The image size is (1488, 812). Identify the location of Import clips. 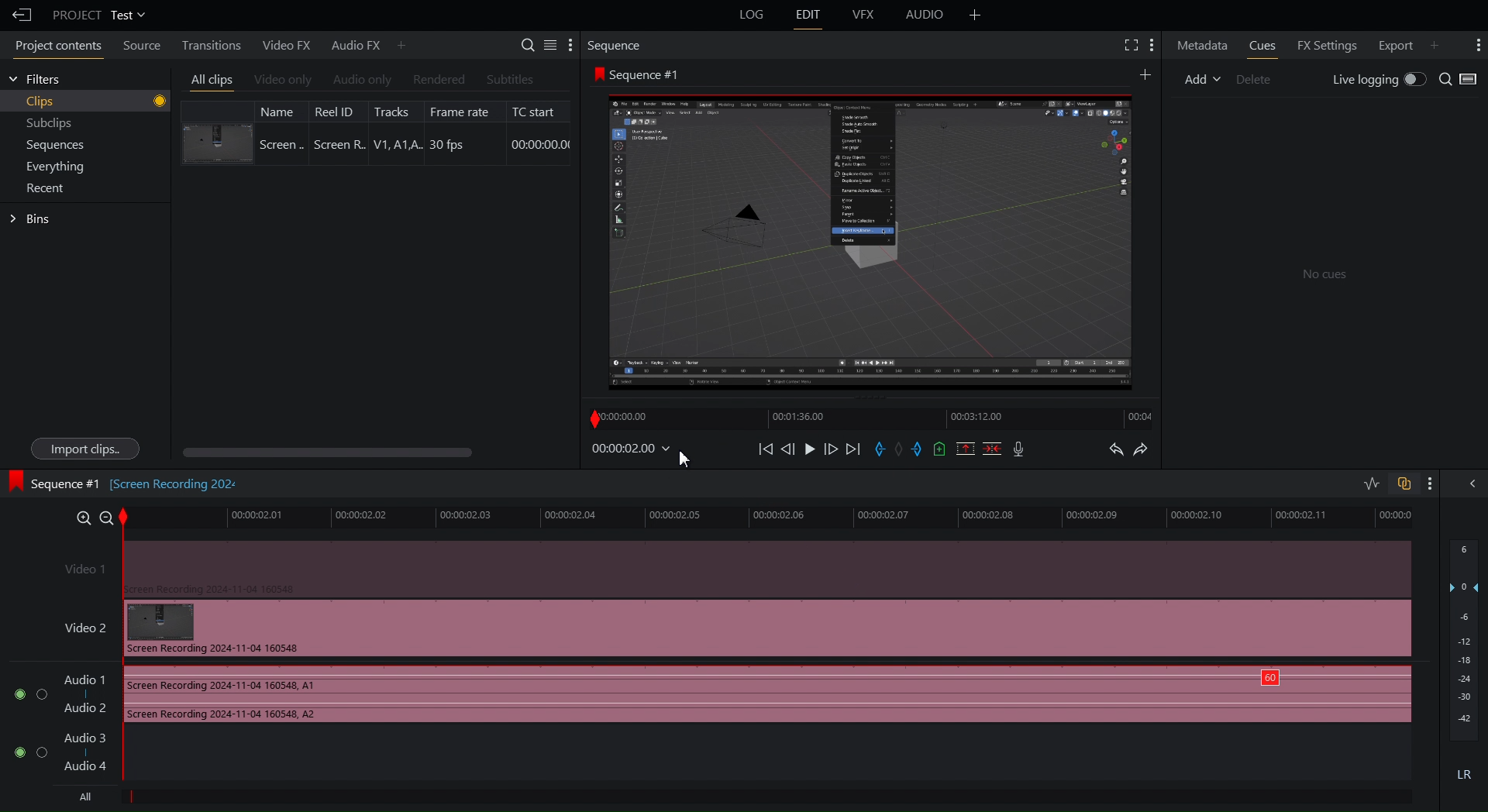
(84, 449).